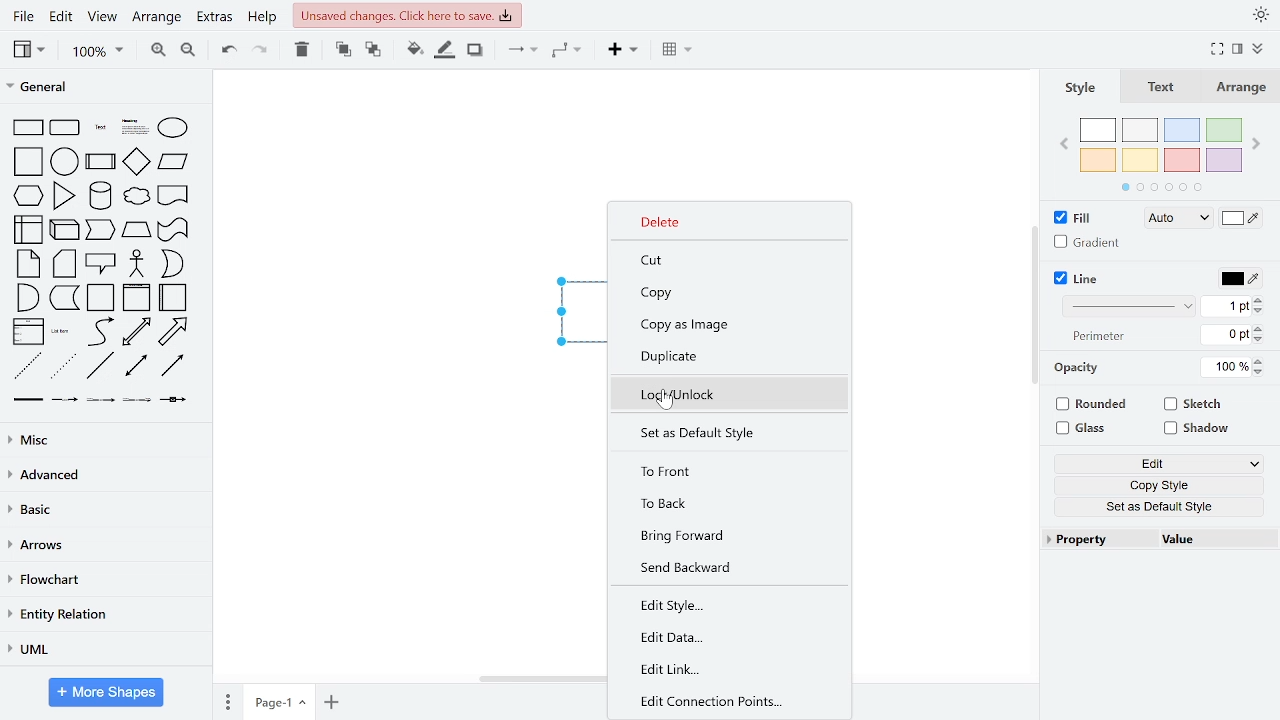 The image size is (1280, 720). What do you see at coordinates (136, 333) in the screenshot?
I see `bidirectional arrow` at bounding box center [136, 333].